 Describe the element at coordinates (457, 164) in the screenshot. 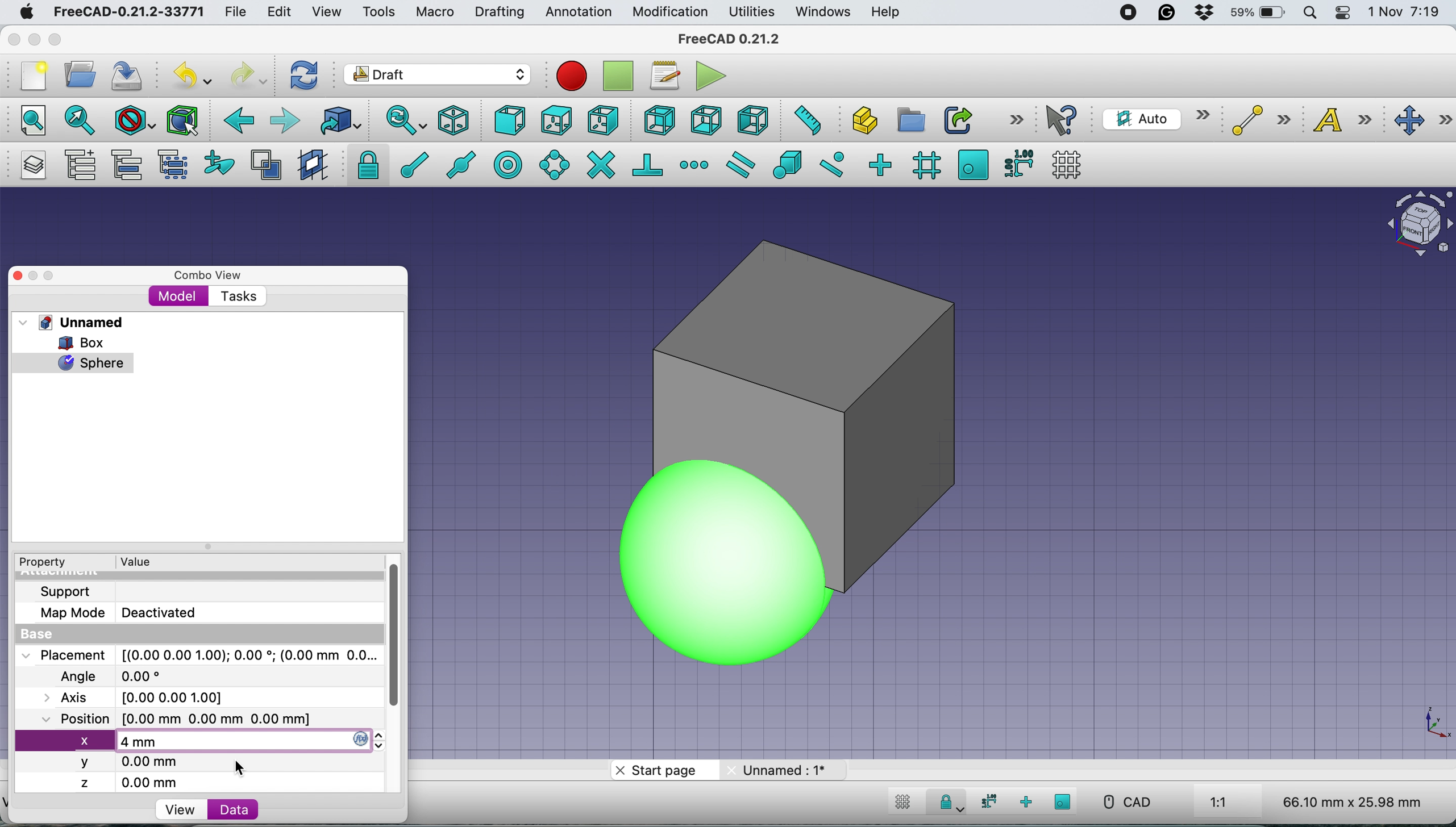

I see `snap midpoint` at that location.